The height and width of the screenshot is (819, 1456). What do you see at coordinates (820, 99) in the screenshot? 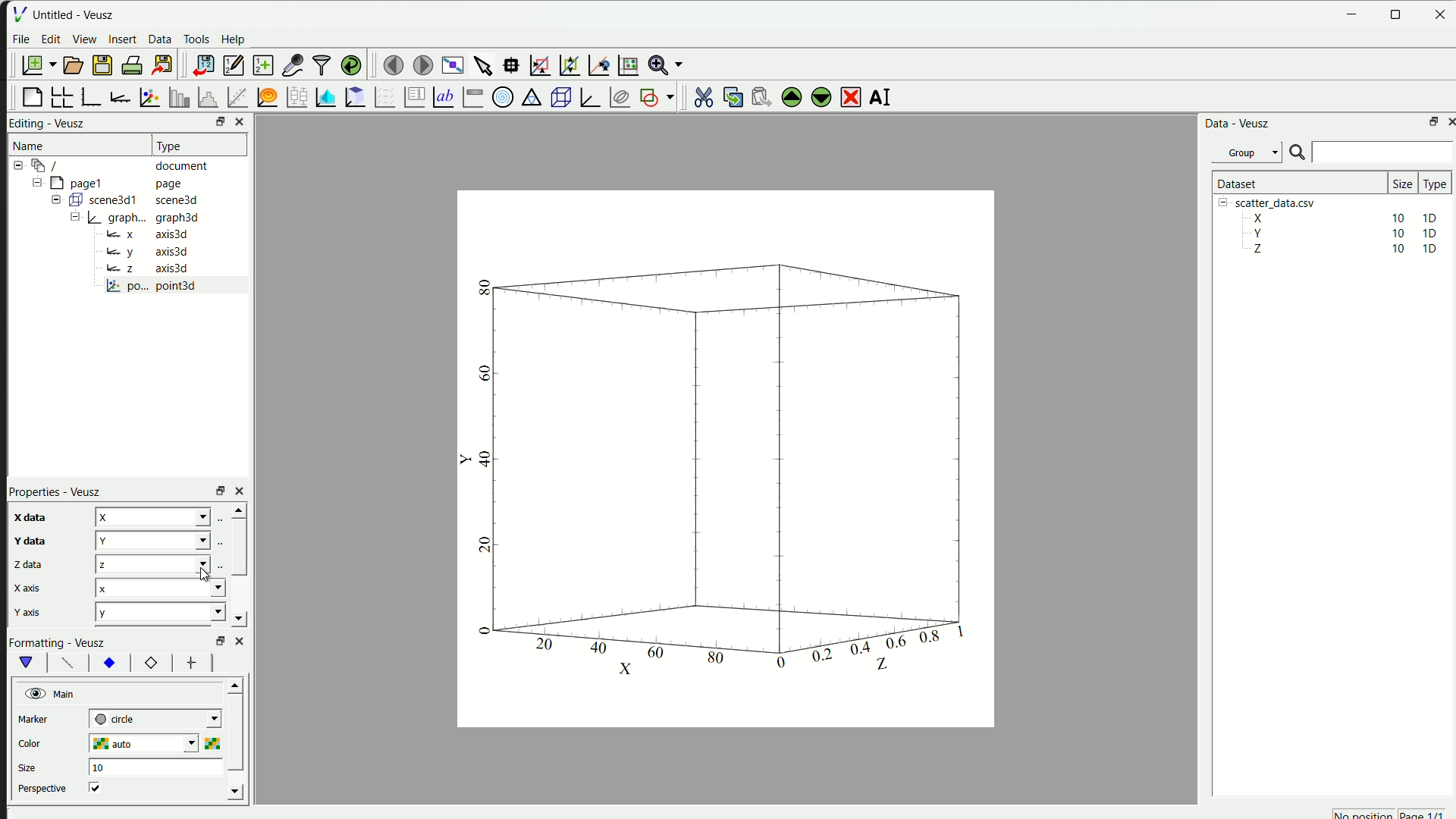
I see `move down the selected widget` at bounding box center [820, 99].